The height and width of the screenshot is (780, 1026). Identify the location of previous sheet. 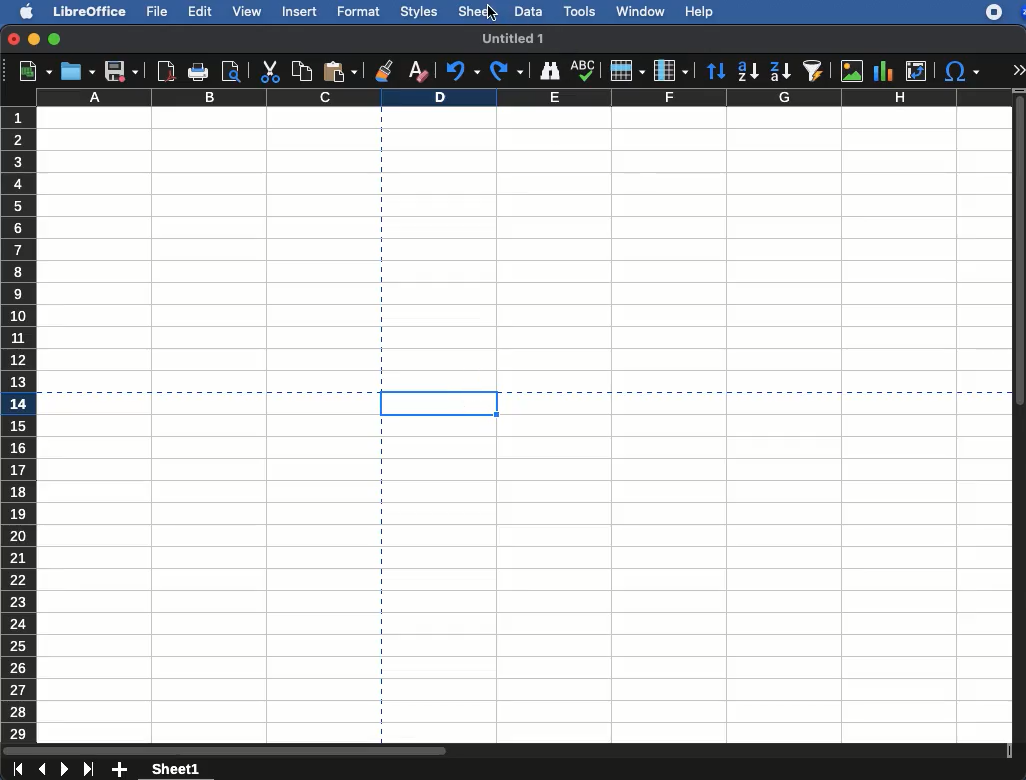
(43, 770).